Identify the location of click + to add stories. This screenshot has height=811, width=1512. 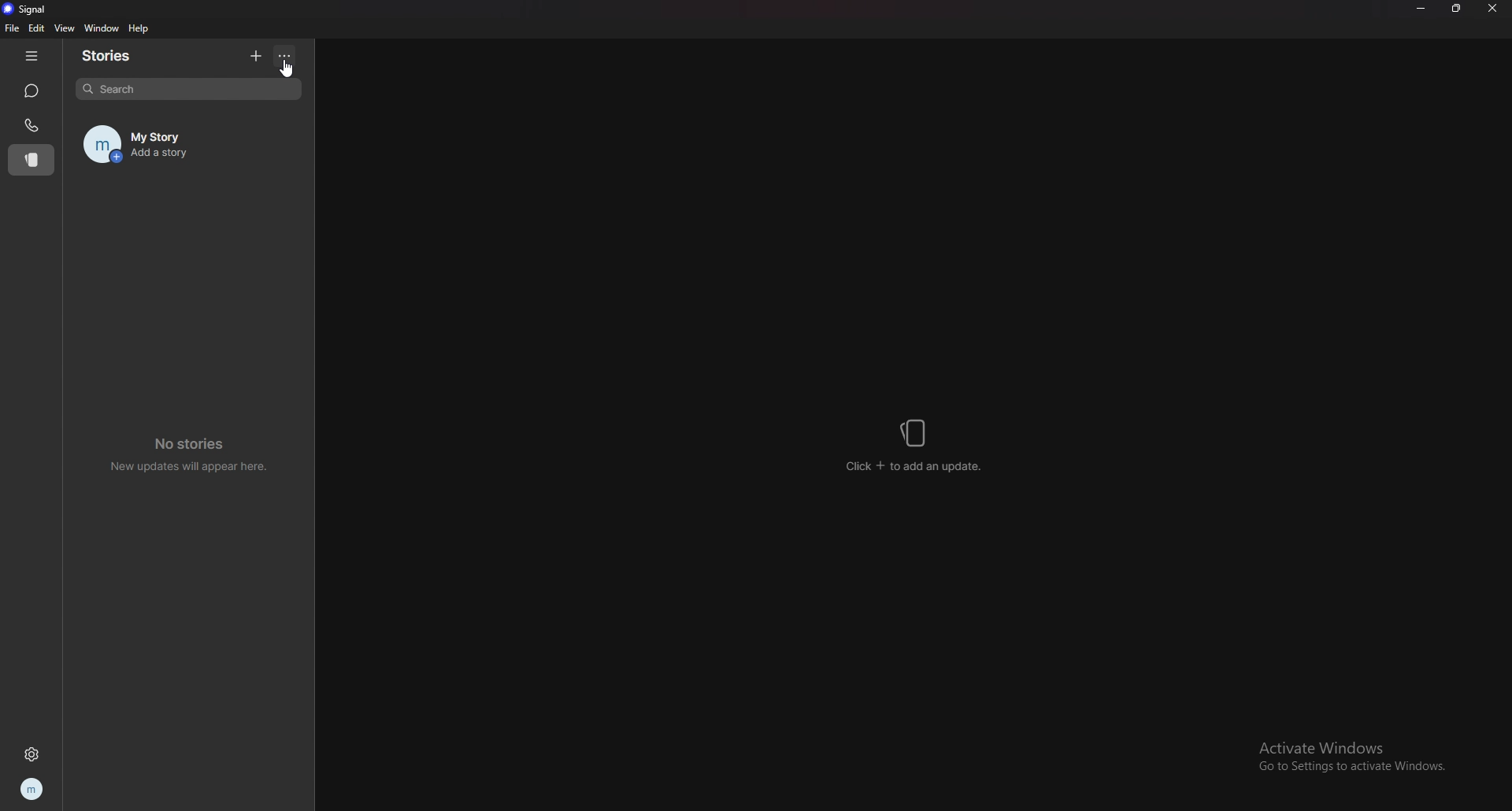
(919, 446).